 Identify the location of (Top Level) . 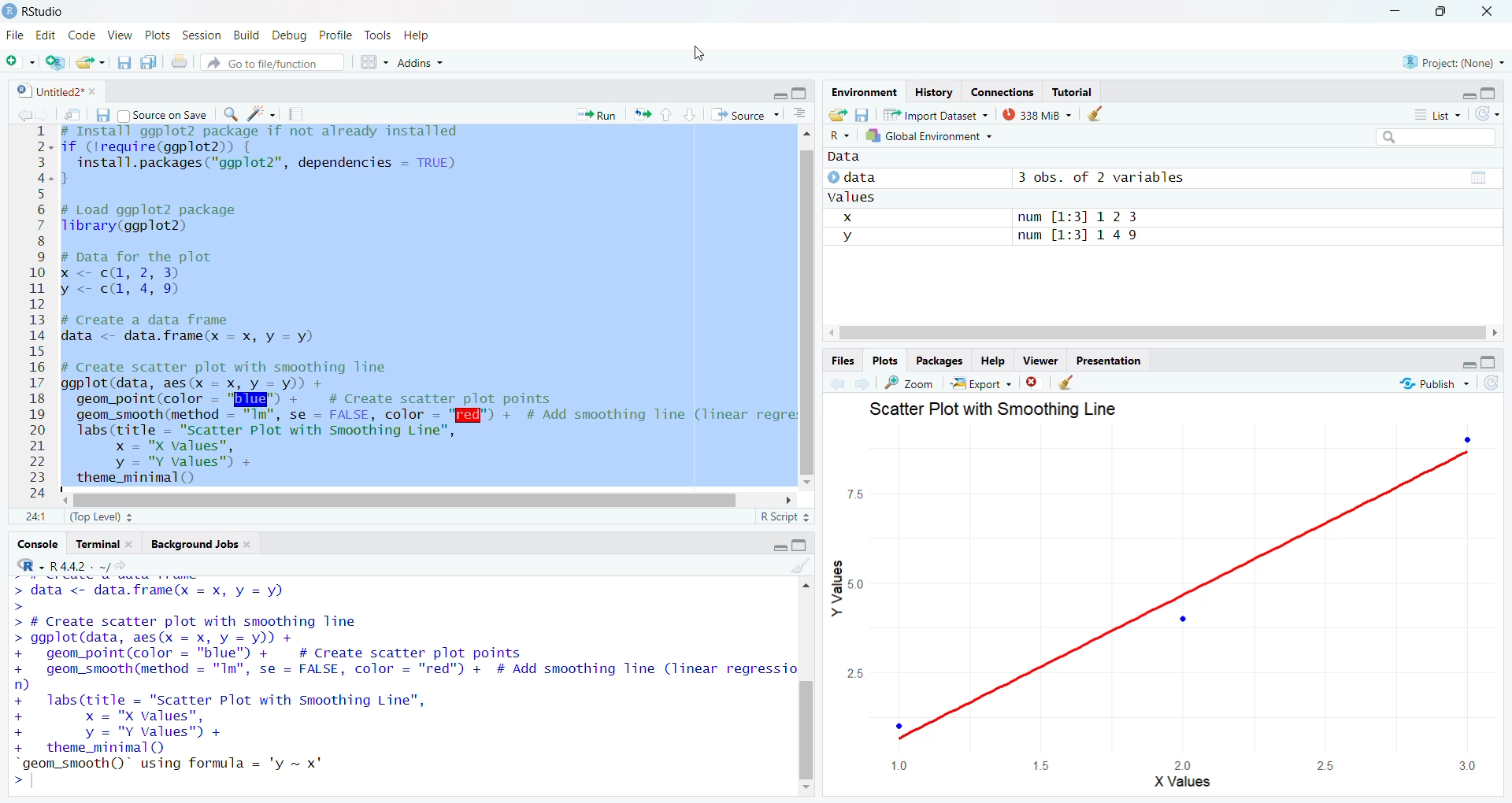
(98, 517).